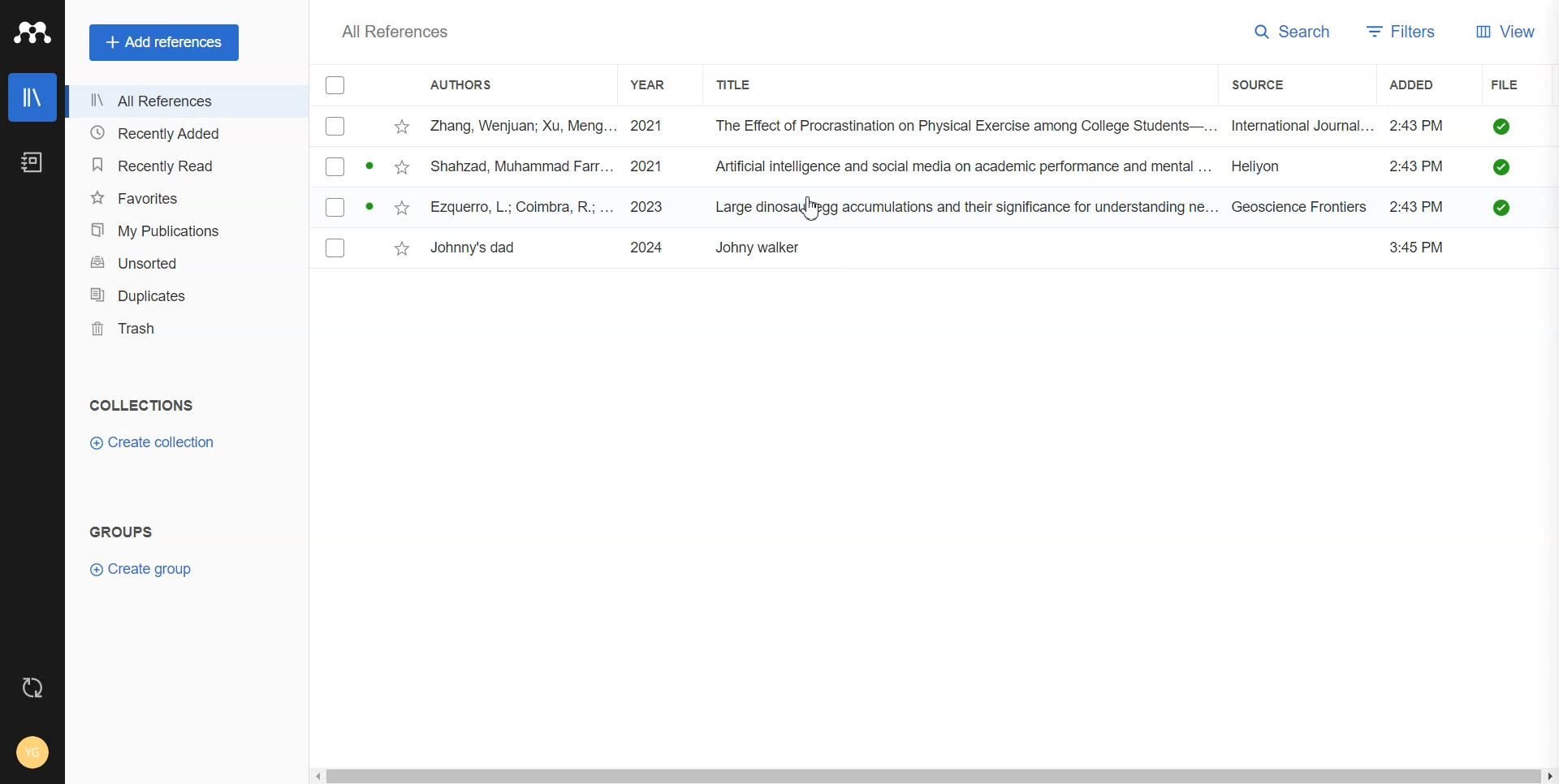 This screenshot has height=784, width=1559. What do you see at coordinates (962, 125) in the screenshot?
I see `The Effect of Procrastination on Physical Exercise among College Students` at bounding box center [962, 125].